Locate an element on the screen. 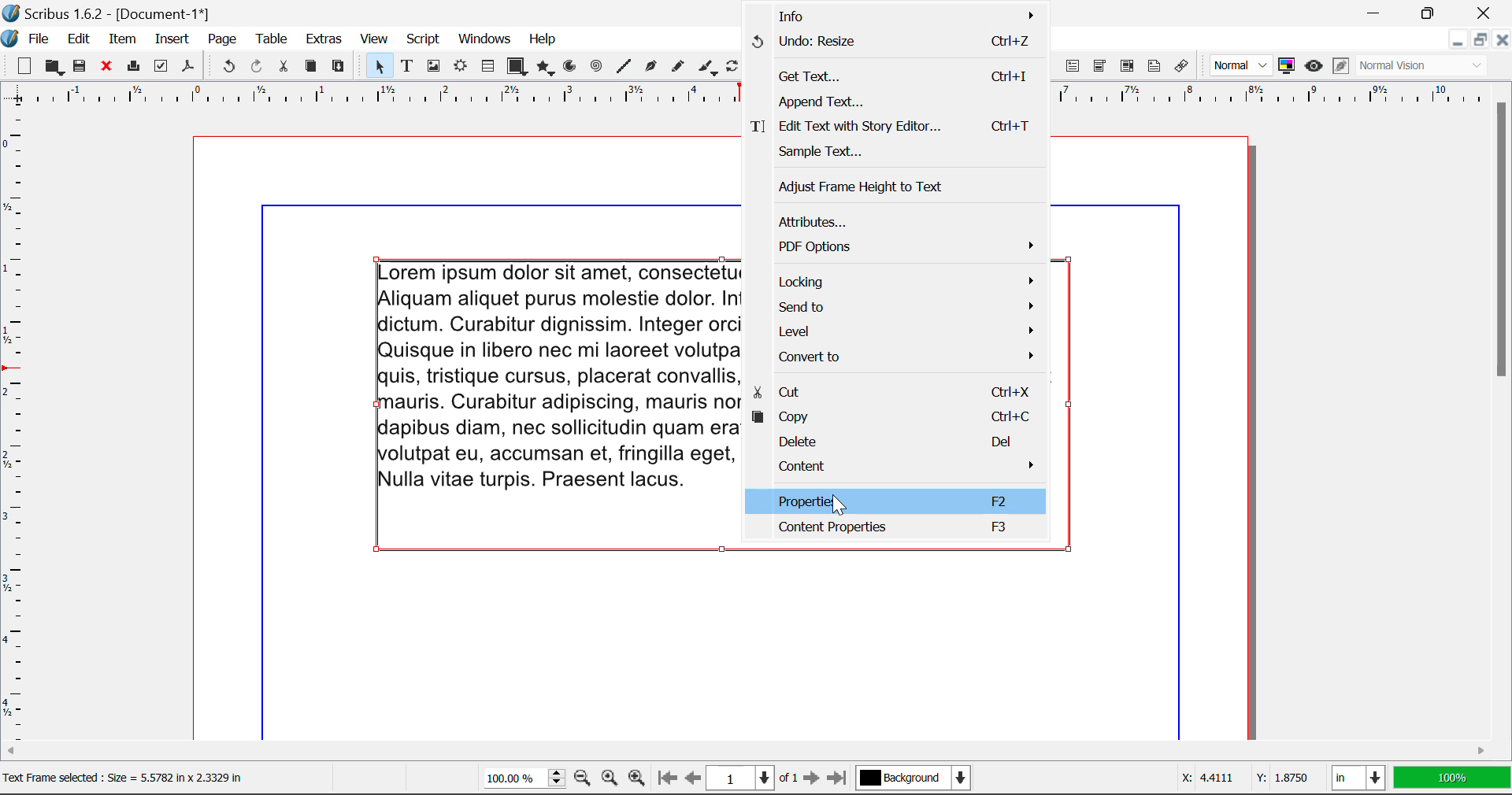 This screenshot has height=795, width=1512. Cursor Position is located at coordinates (837, 506).